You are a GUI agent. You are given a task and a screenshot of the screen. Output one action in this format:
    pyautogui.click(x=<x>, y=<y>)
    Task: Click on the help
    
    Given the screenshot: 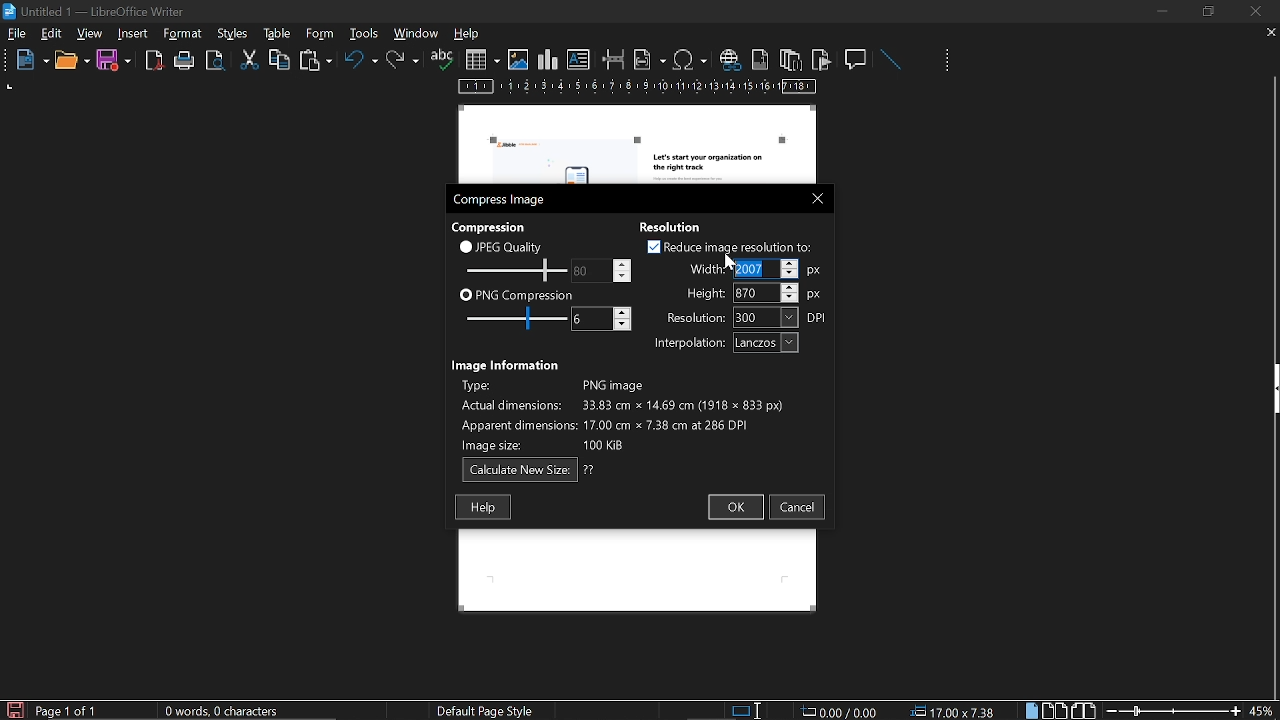 What is the action you would take?
    pyautogui.click(x=483, y=507)
    